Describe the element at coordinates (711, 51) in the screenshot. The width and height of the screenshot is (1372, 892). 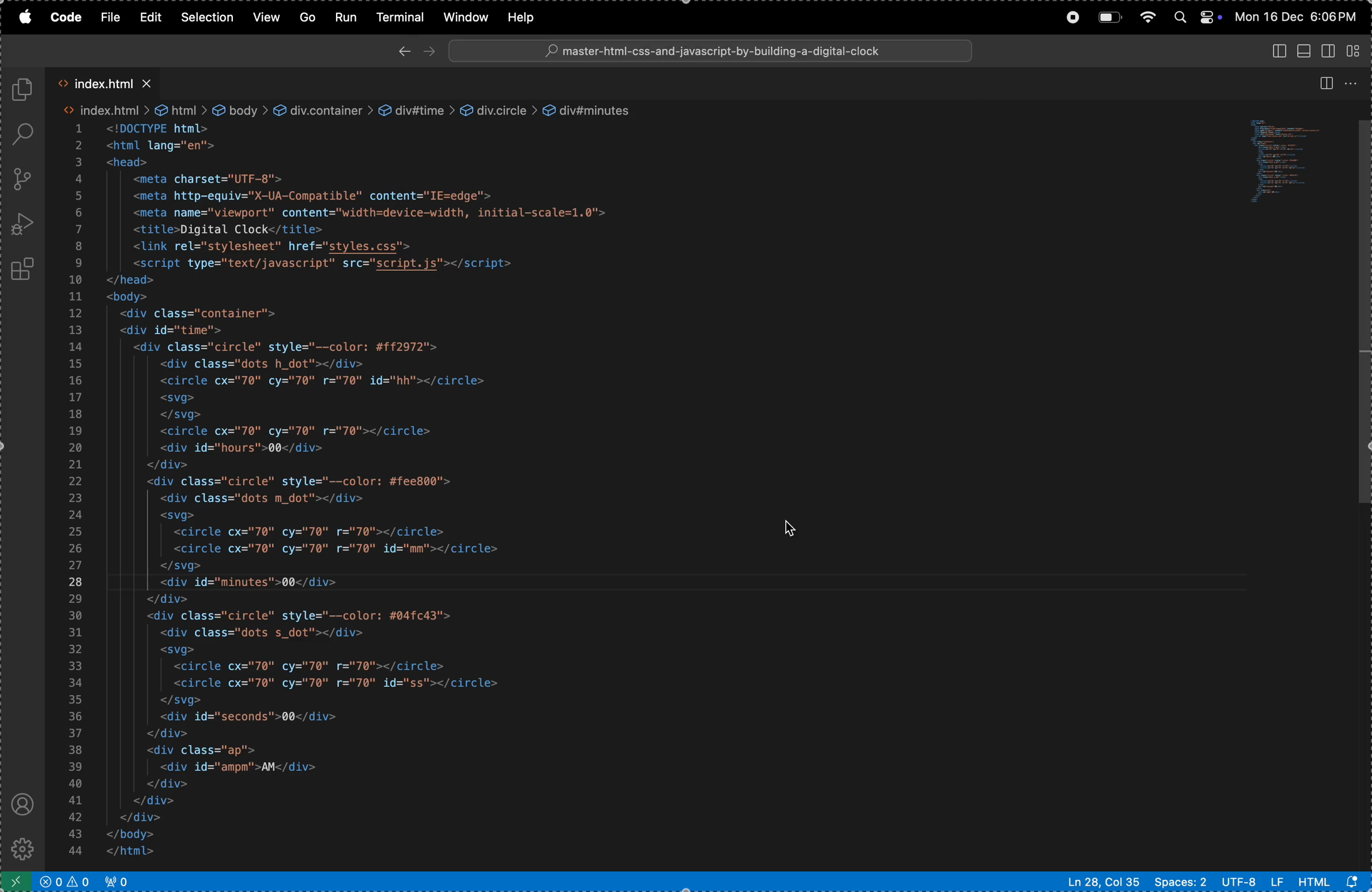
I see `search bar` at that location.